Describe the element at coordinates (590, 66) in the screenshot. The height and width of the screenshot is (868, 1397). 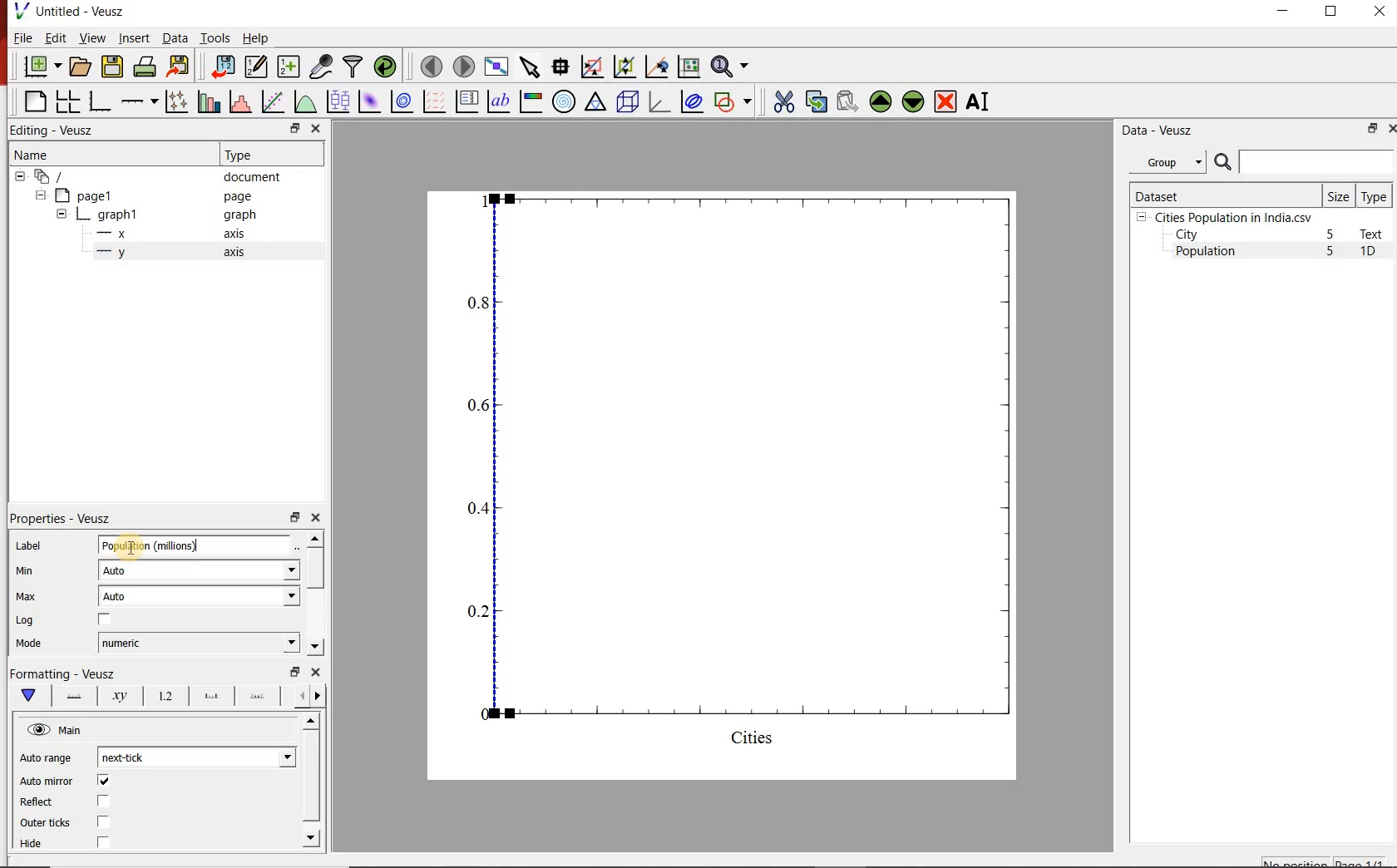
I see `click or draw a rectangle to zoom graph indexes` at that location.